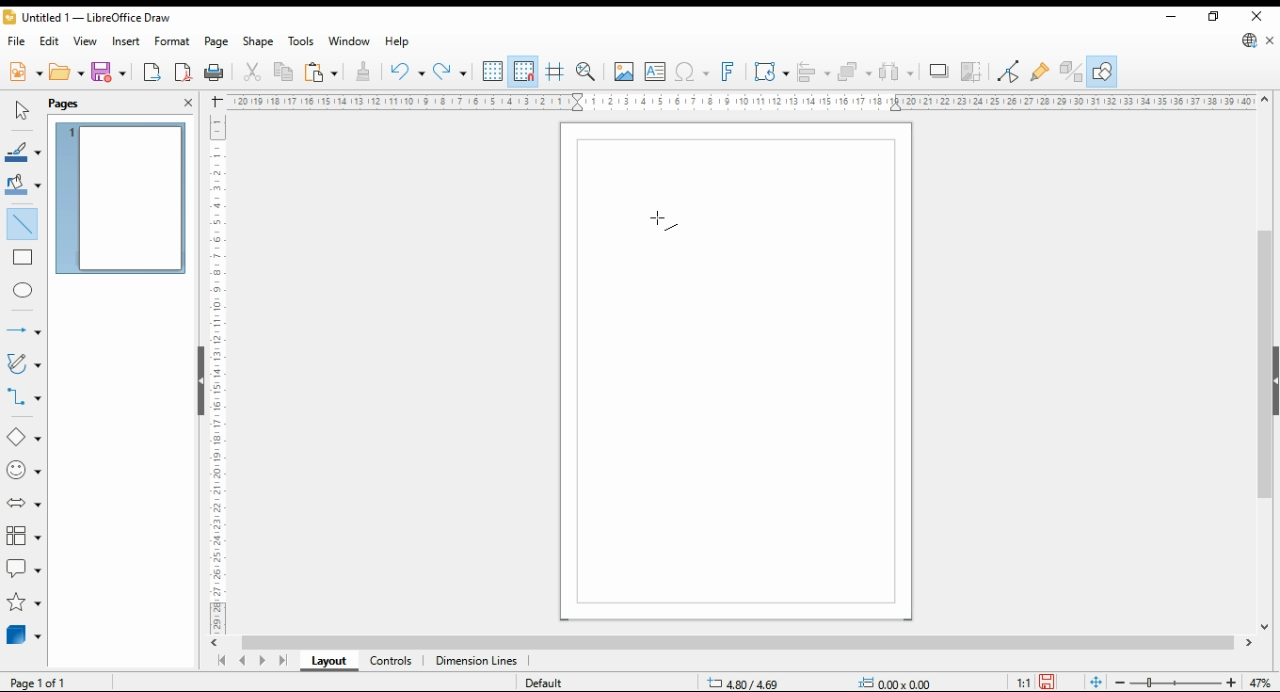  What do you see at coordinates (25, 504) in the screenshot?
I see `block arrows` at bounding box center [25, 504].